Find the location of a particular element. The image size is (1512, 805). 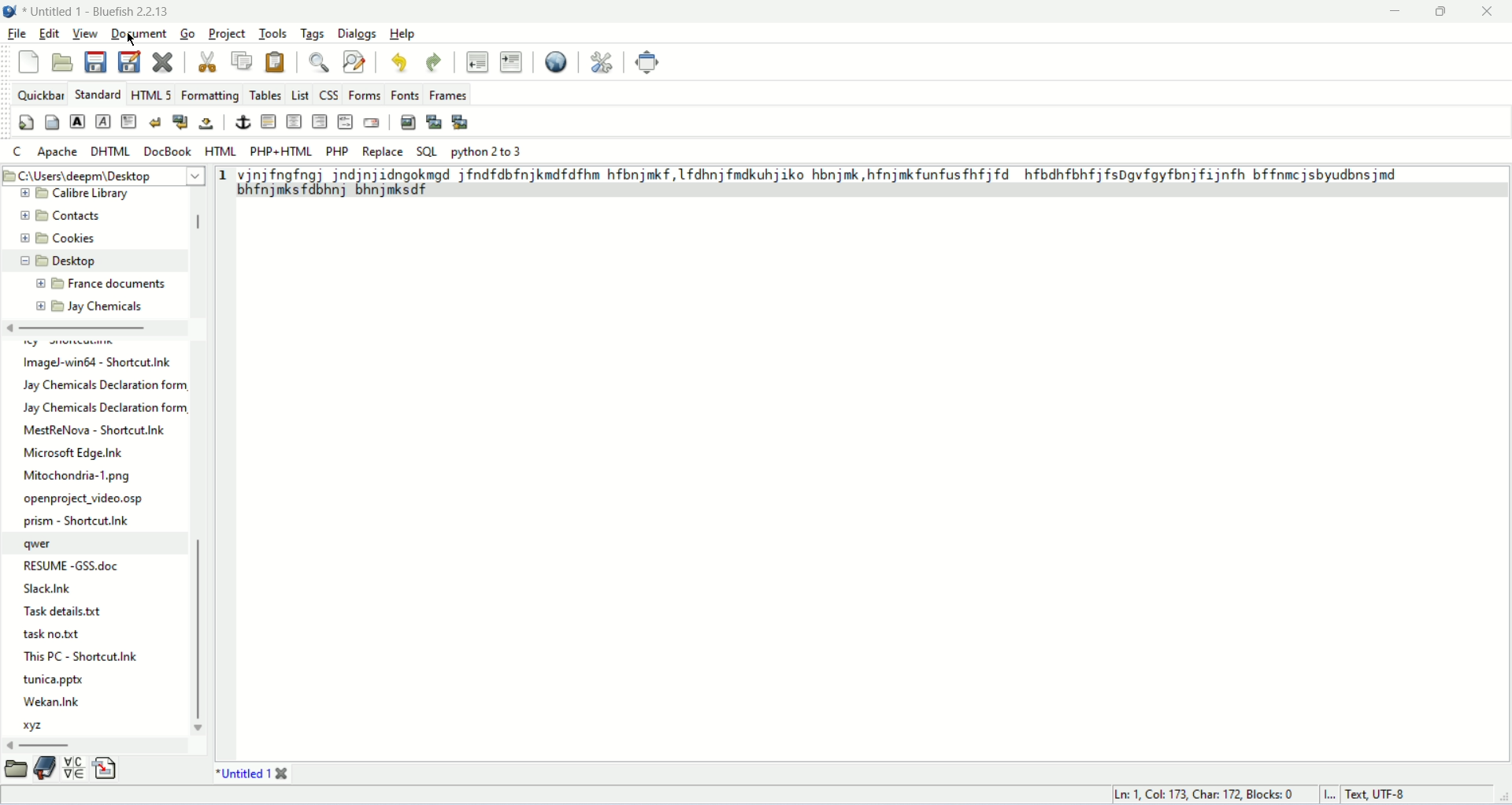

Untitled 1 - Bluefish 2.2.13 is located at coordinates (101, 12).